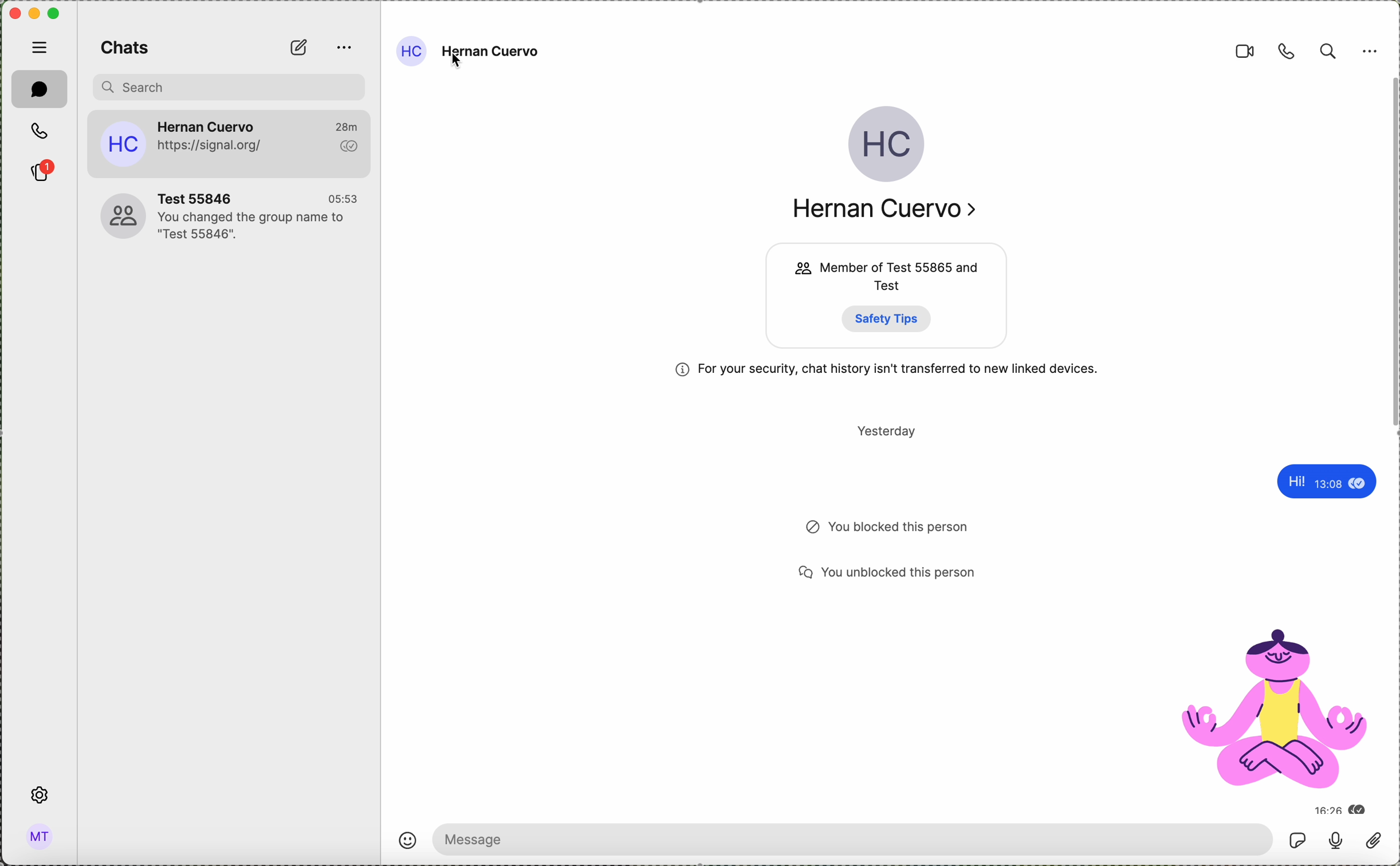 This screenshot has width=1400, height=866. What do you see at coordinates (410, 843) in the screenshot?
I see `emoji` at bounding box center [410, 843].